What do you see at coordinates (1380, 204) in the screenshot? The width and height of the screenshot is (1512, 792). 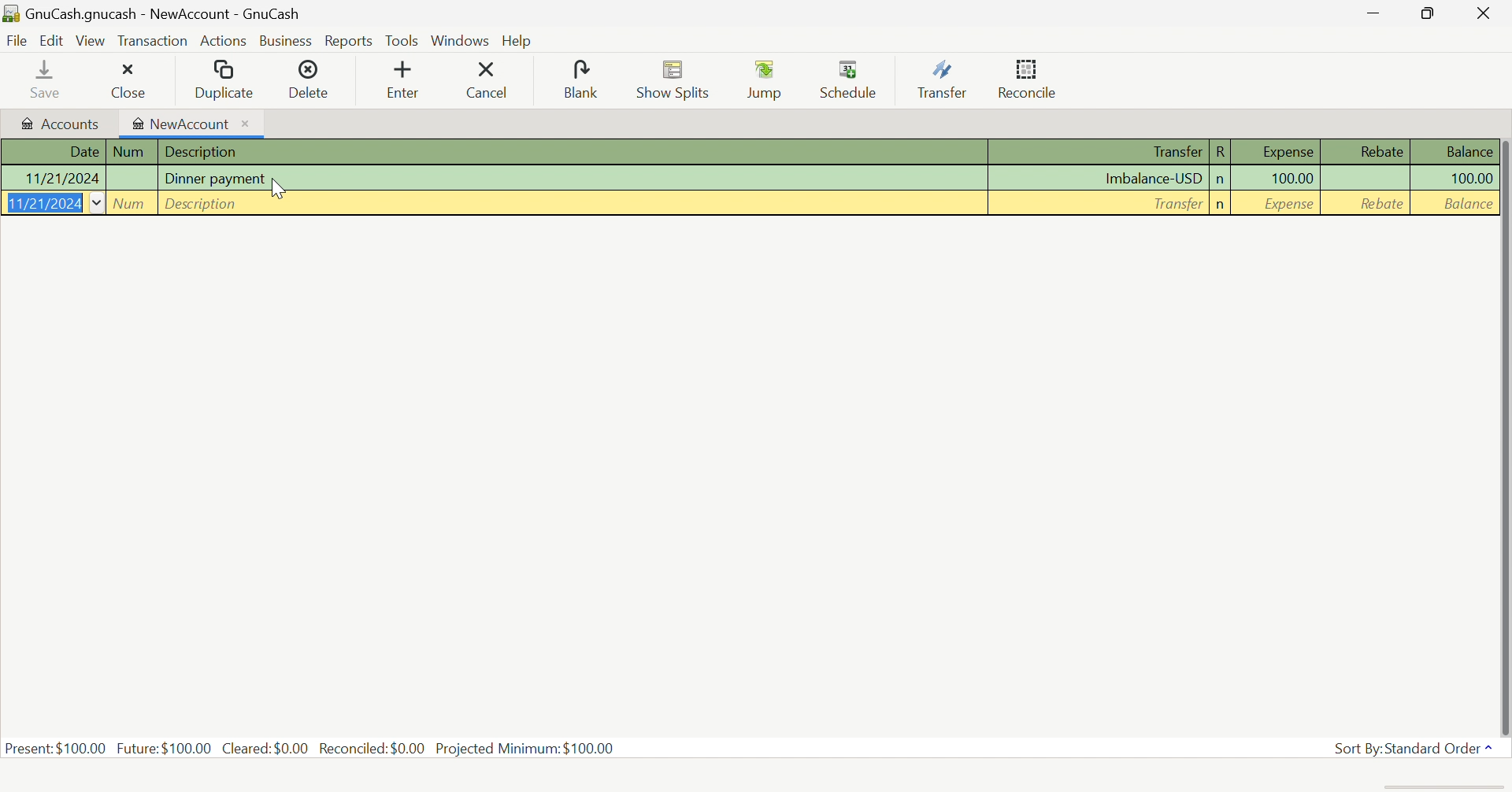 I see `Rebate` at bounding box center [1380, 204].